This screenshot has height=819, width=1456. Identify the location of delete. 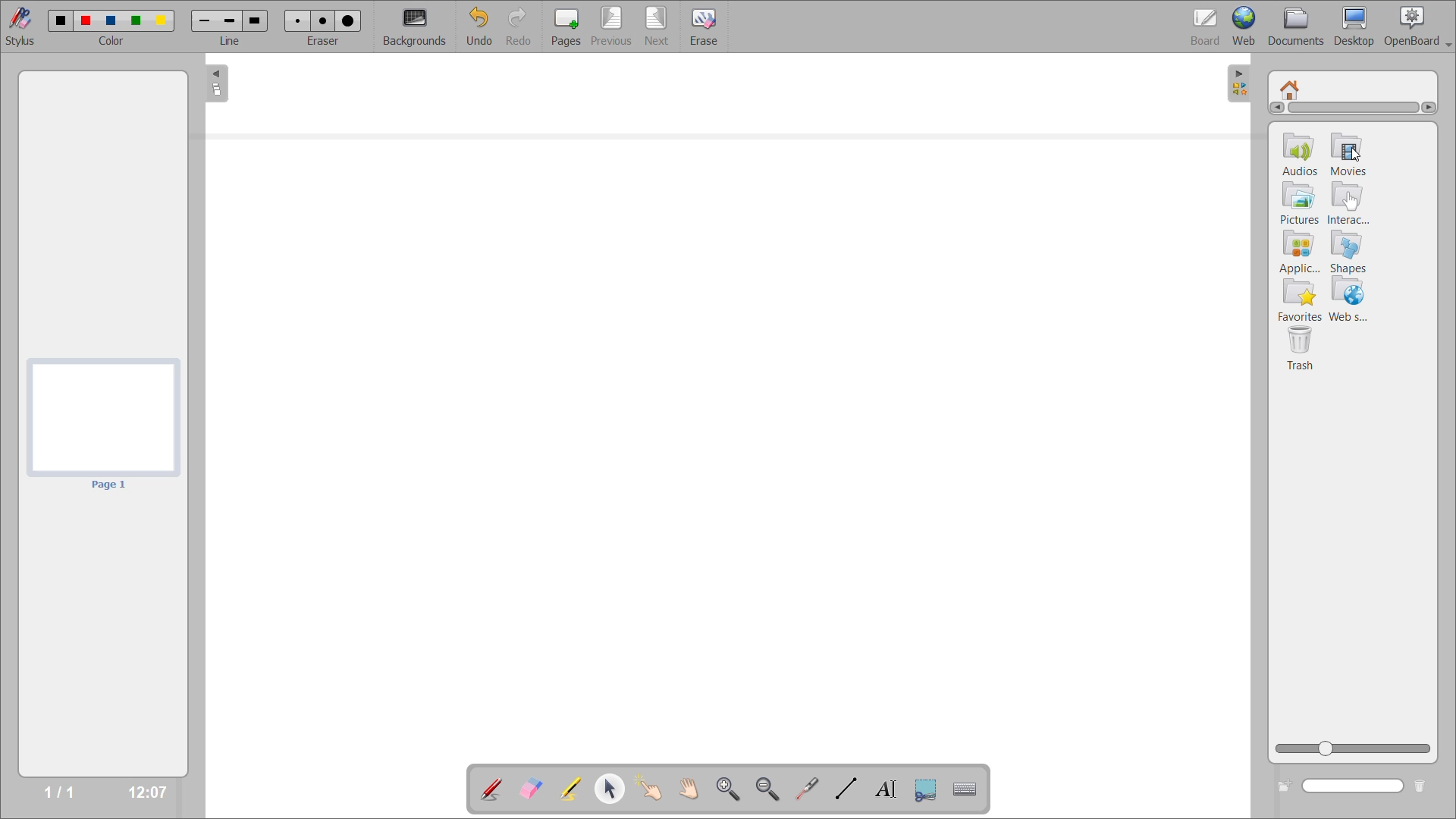
(1422, 786).